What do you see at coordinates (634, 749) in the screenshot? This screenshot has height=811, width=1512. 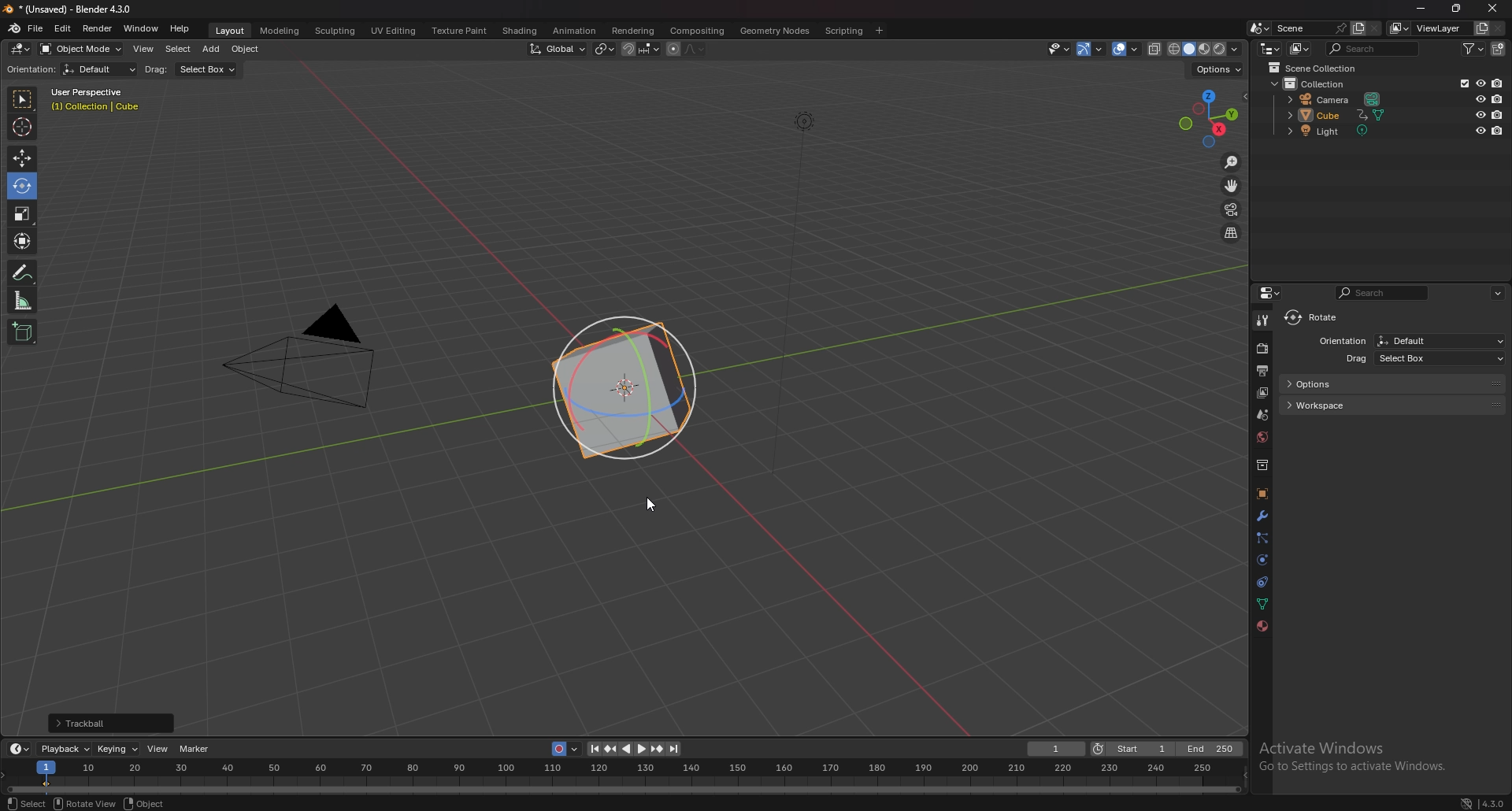 I see `play animation` at bounding box center [634, 749].